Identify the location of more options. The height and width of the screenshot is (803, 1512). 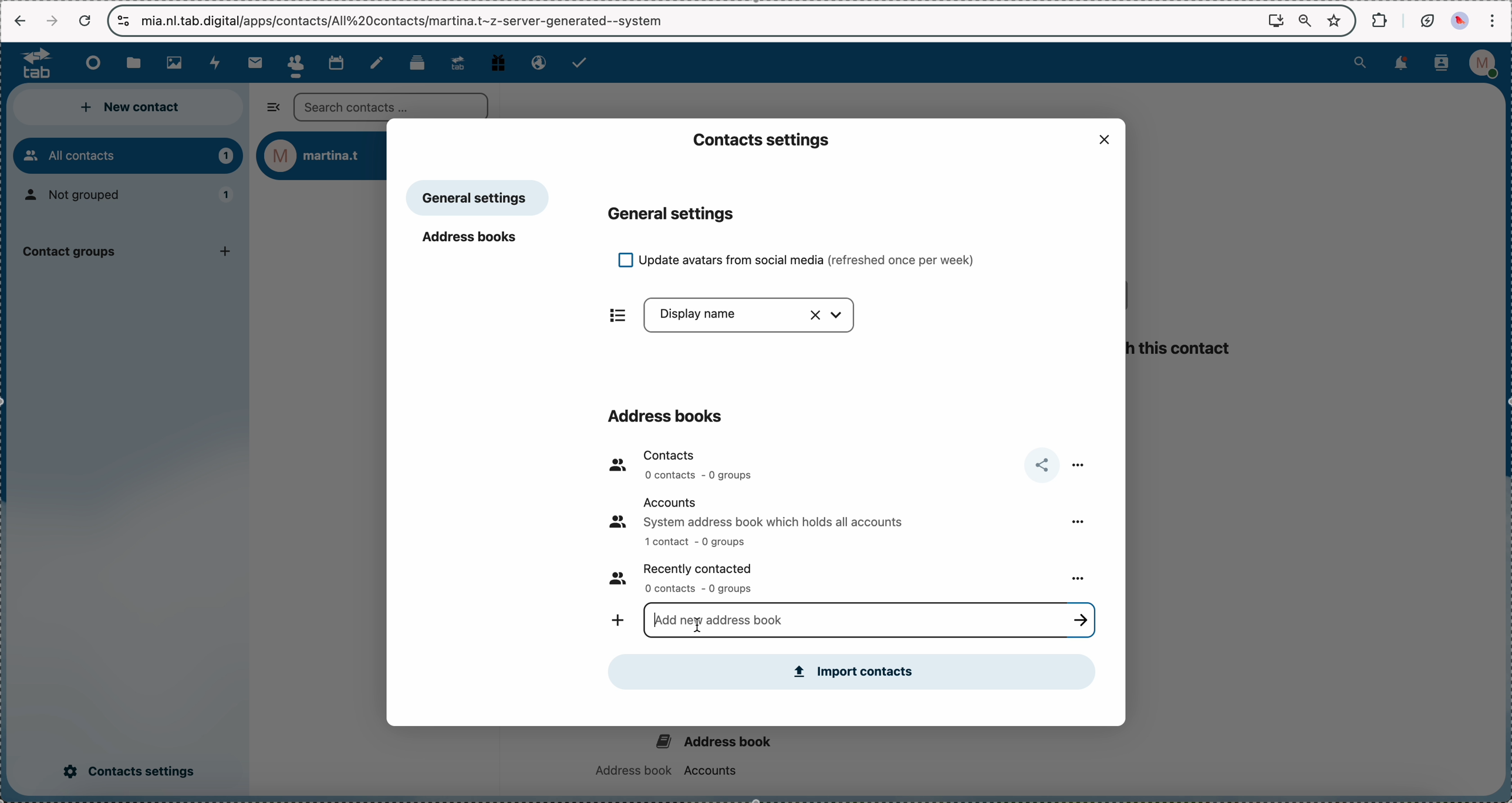
(1075, 521).